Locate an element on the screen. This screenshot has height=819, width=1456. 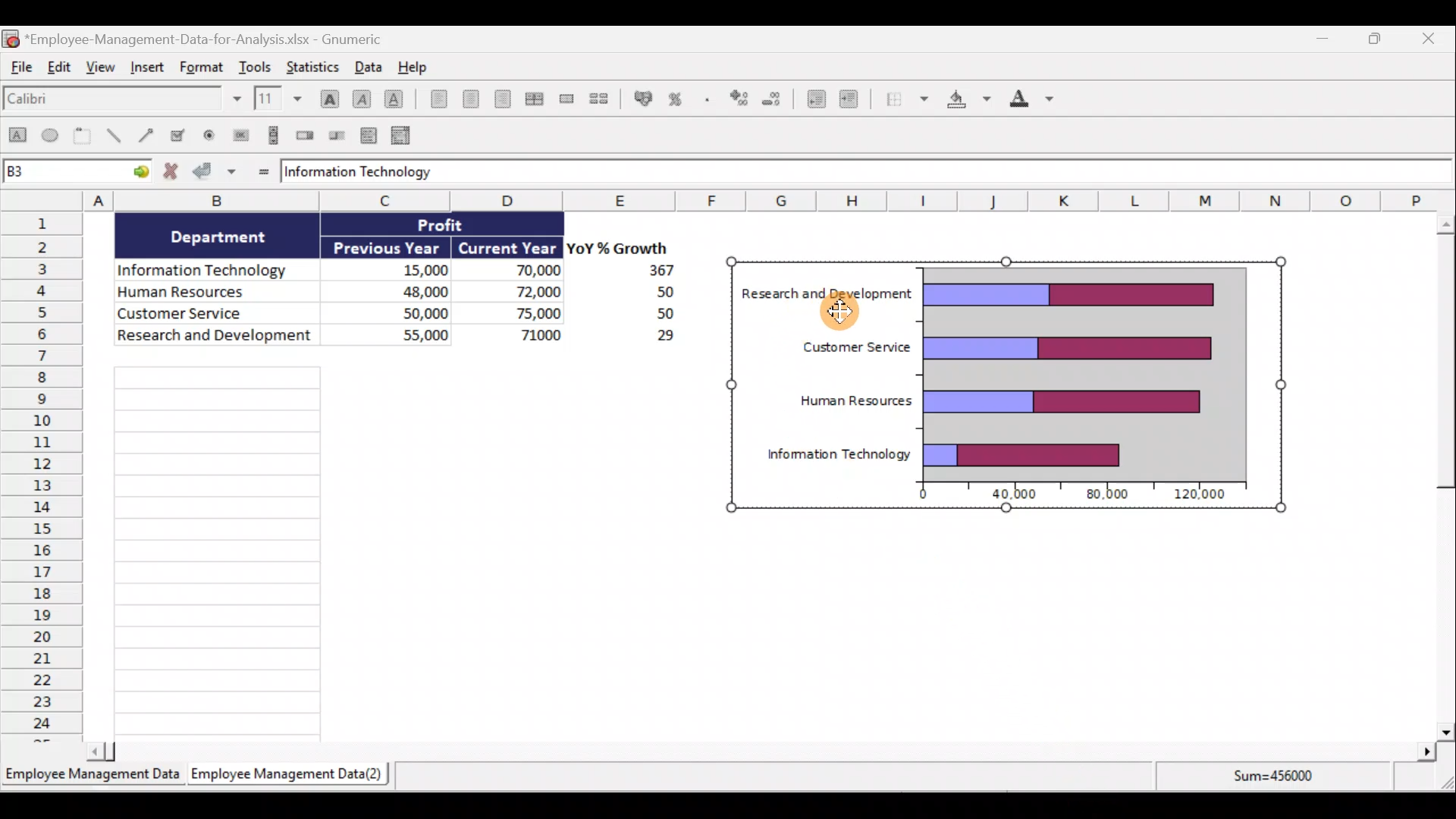
Create an arrow object is located at coordinates (146, 133).